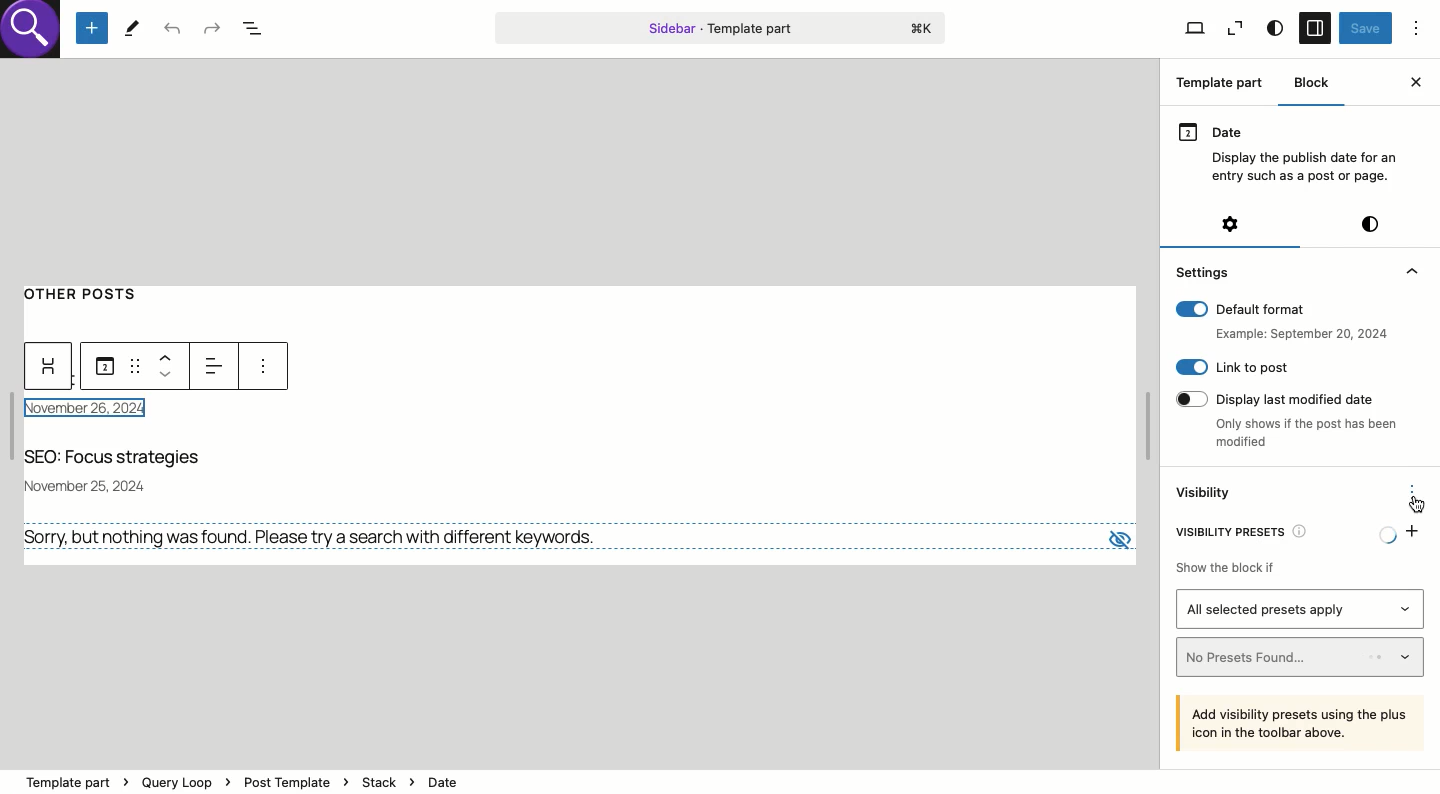 Image resolution: width=1440 pixels, height=794 pixels. I want to click on Tools, so click(132, 27).